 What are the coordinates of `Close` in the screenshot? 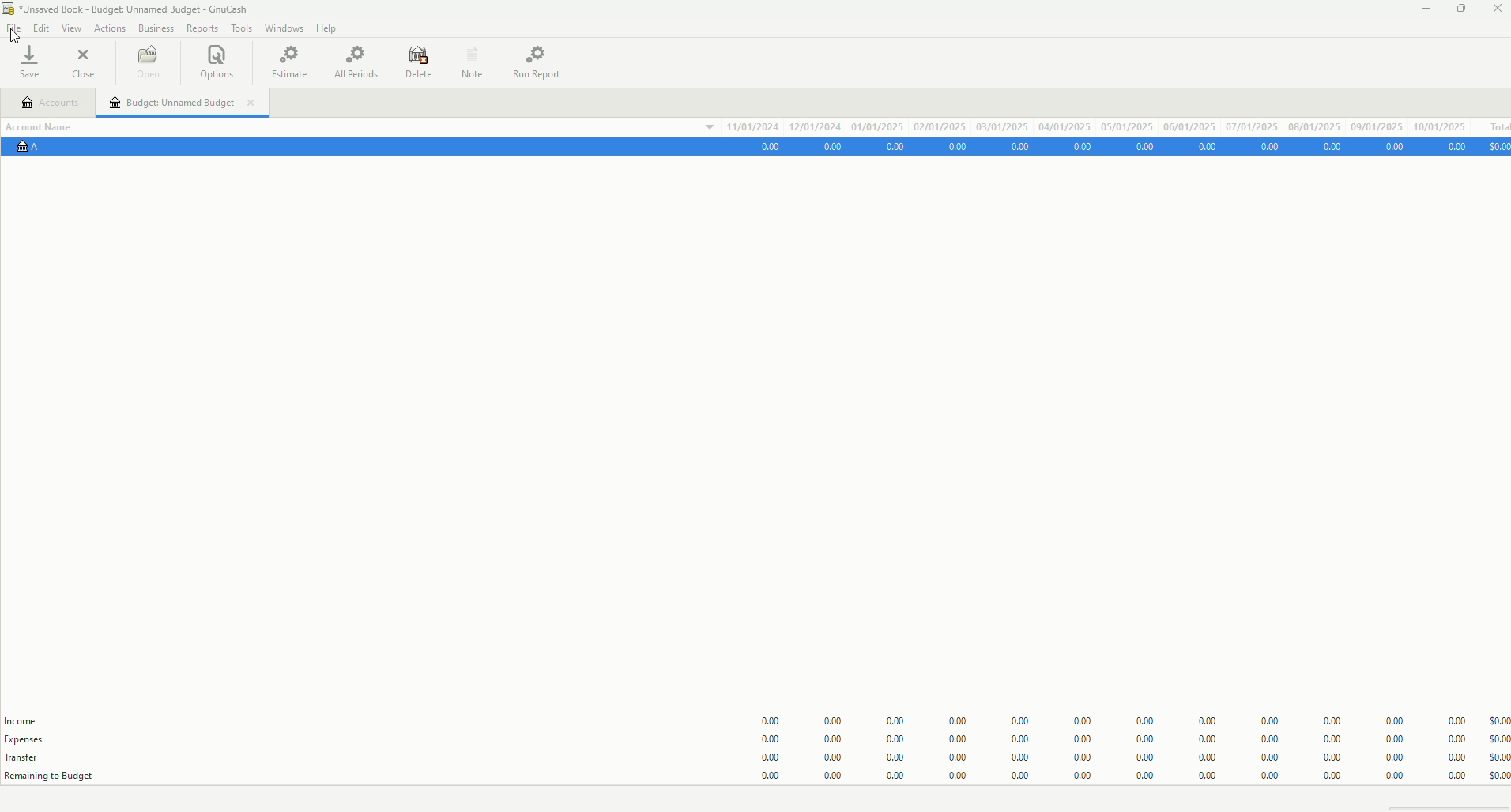 It's located at (1497, 10).